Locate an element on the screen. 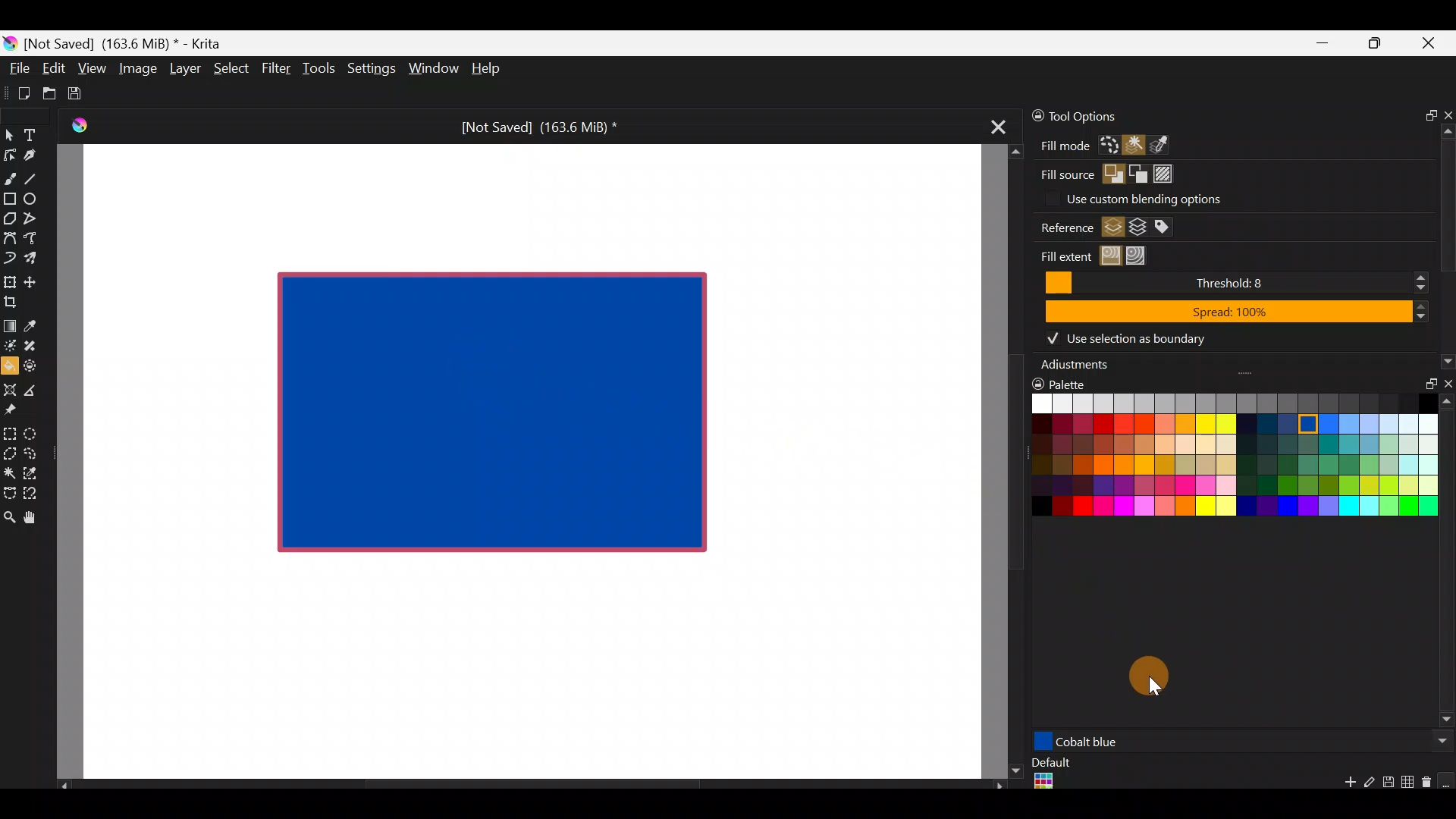 Image resolution: width=1456 pixels, height=819 pixels. Fill regions from active layer is located at coordinates (1112, 227).